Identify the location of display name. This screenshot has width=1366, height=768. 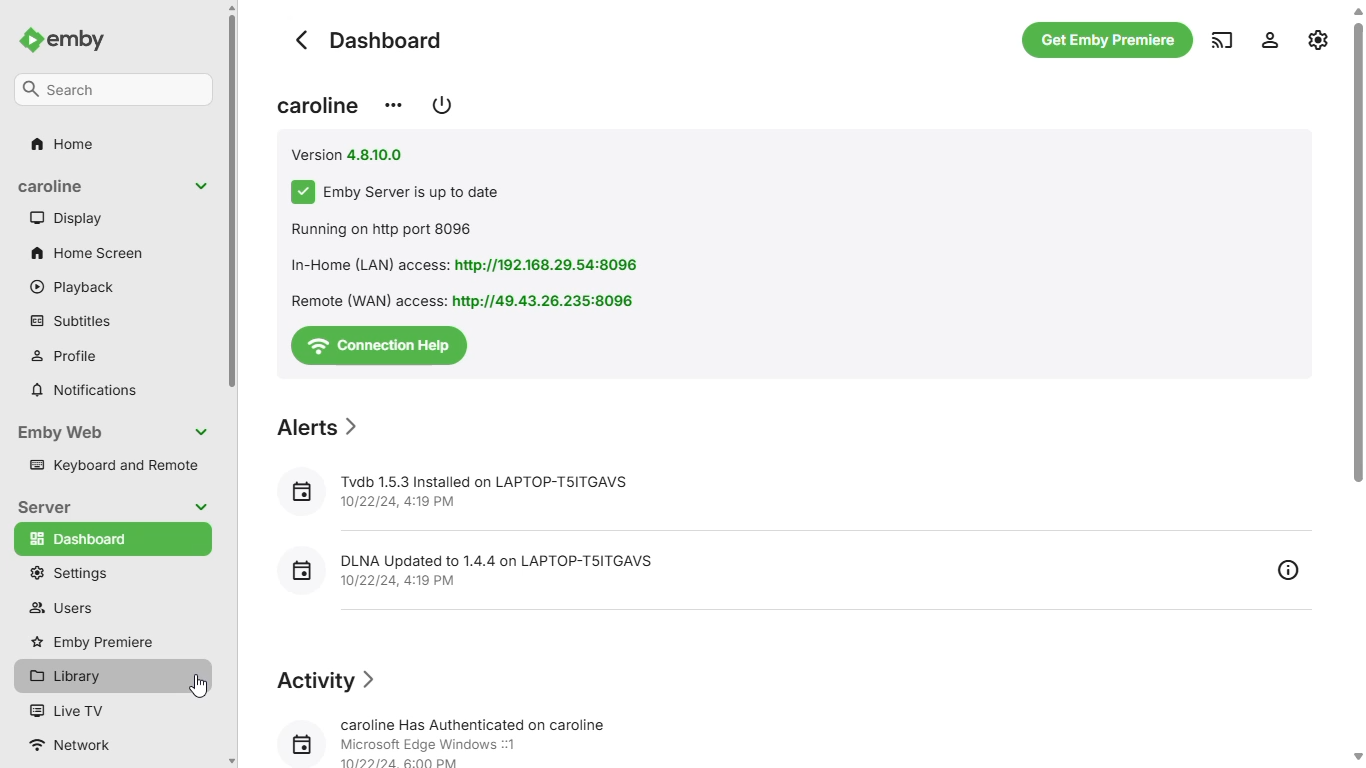
(318, 105).